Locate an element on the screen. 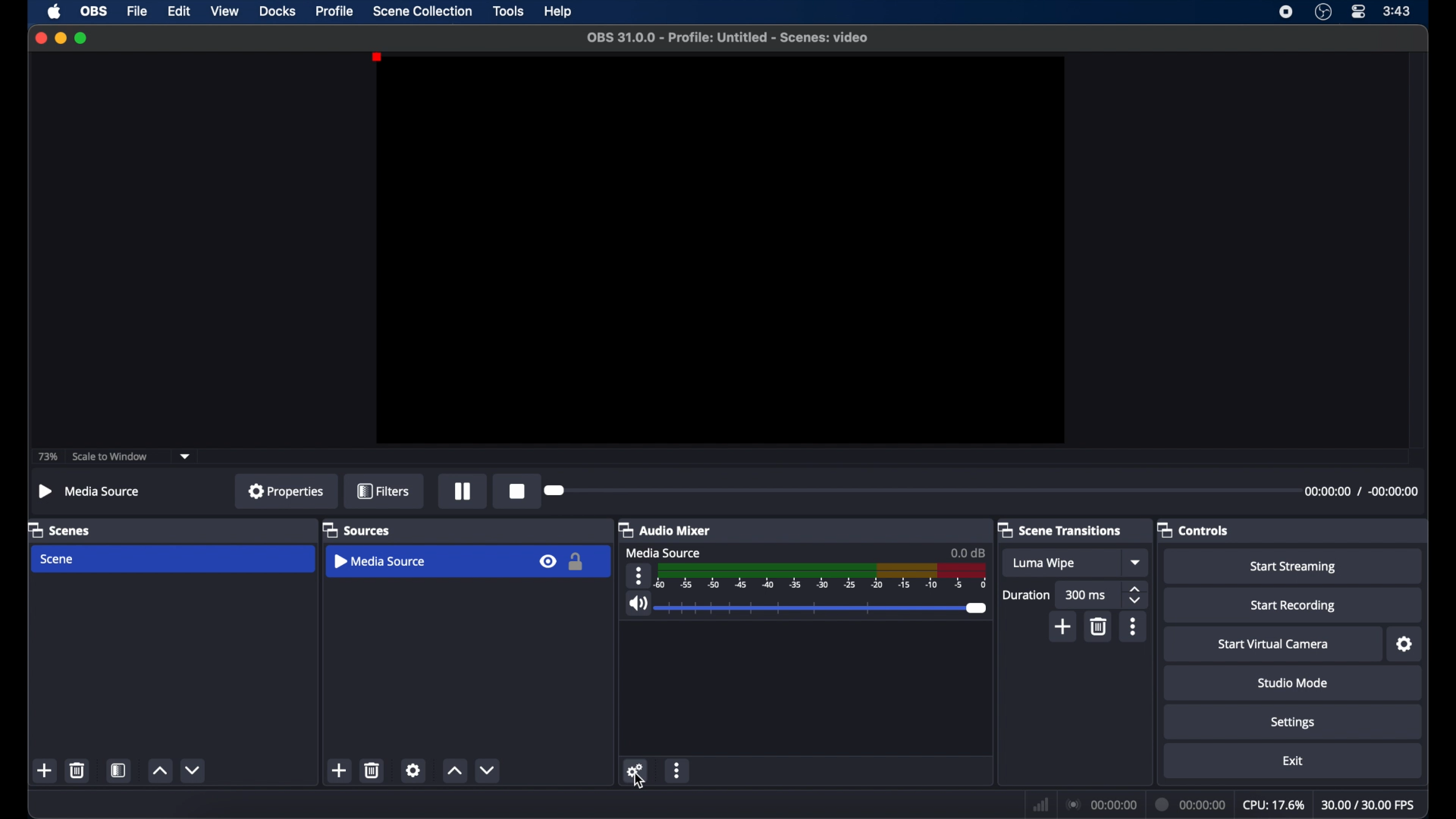 This screenshot has width=1456, height=819. start streaming is located at coordinates (1294, 567).